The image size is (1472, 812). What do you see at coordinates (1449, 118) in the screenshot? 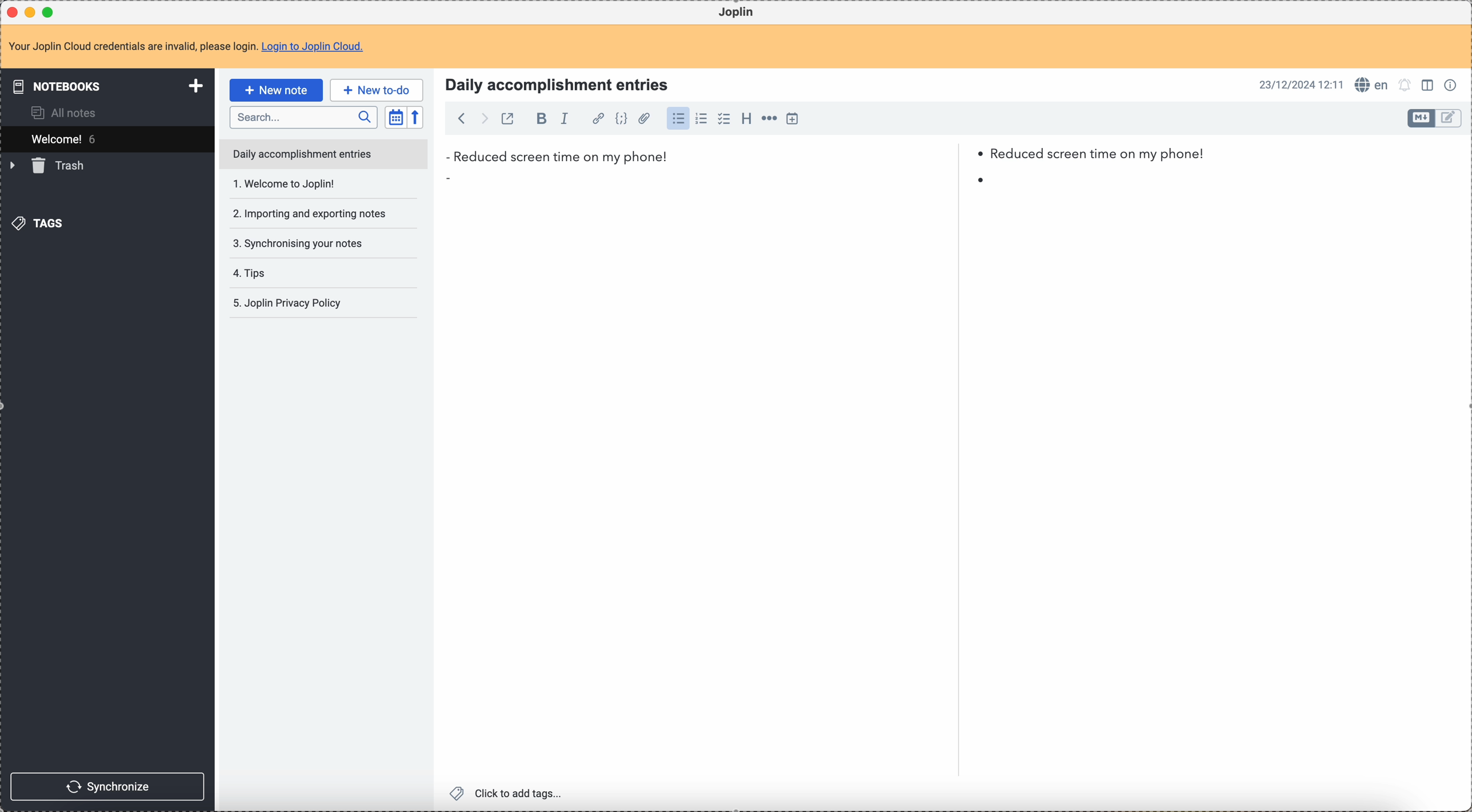
I see `toggle edit layout` at bounding box center [1449, 118].